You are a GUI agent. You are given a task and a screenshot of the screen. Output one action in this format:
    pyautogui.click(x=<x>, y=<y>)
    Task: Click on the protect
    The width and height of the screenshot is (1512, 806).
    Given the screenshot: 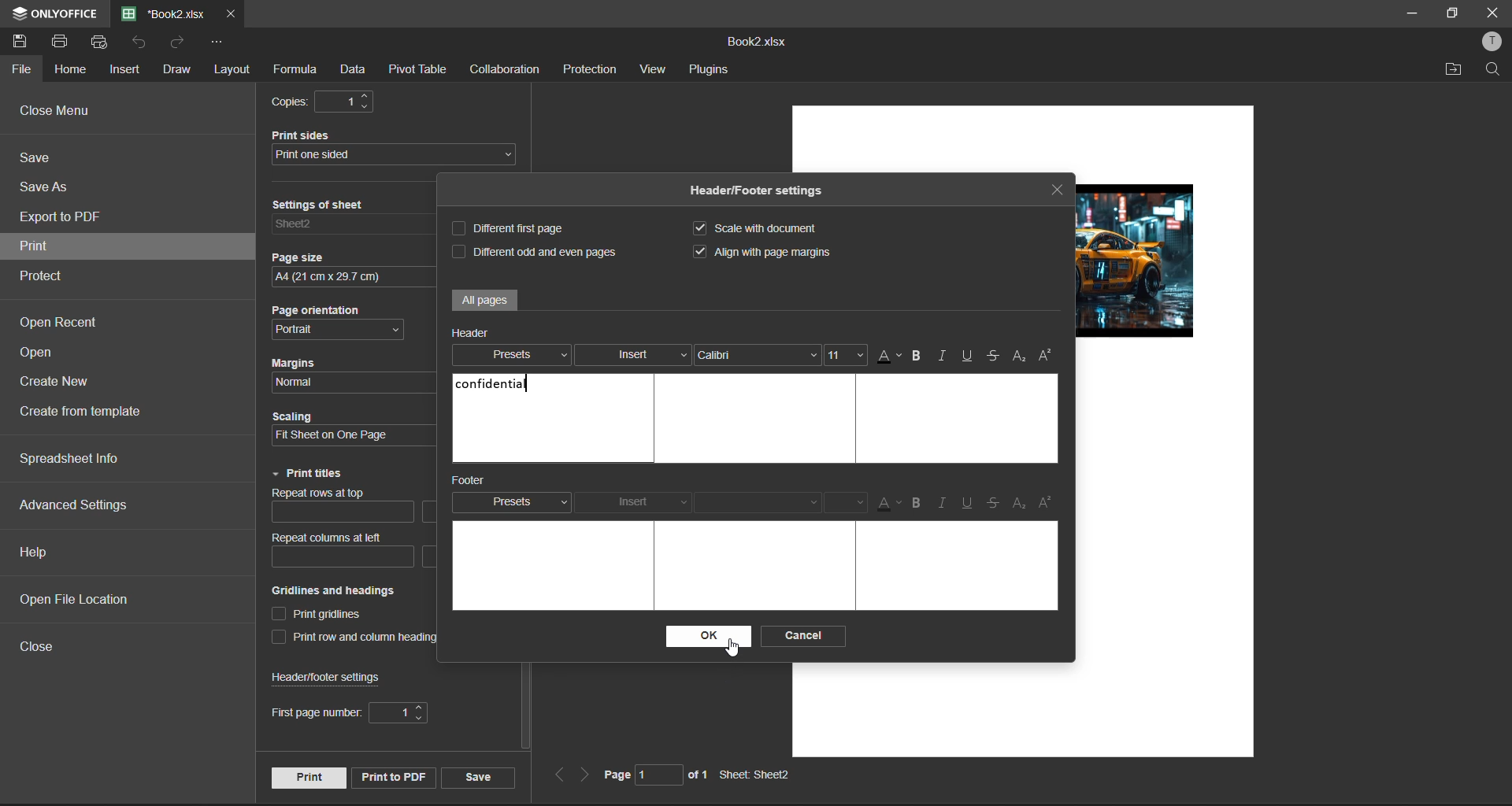 What is the action you would take?
    pyautogui.click(x=51, y=277)
    